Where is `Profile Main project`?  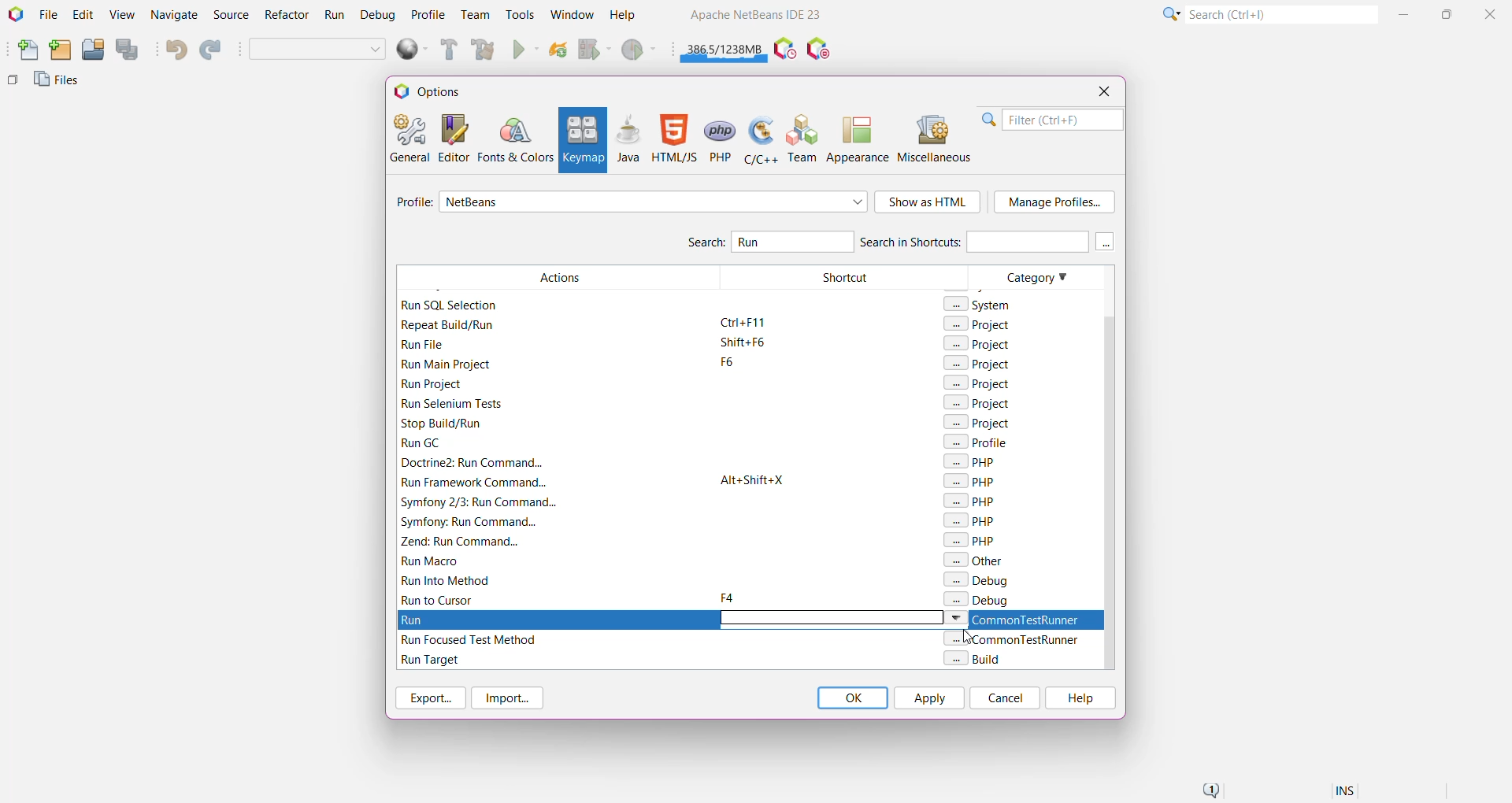 Profile Main project is located at coordinates (640, 51).